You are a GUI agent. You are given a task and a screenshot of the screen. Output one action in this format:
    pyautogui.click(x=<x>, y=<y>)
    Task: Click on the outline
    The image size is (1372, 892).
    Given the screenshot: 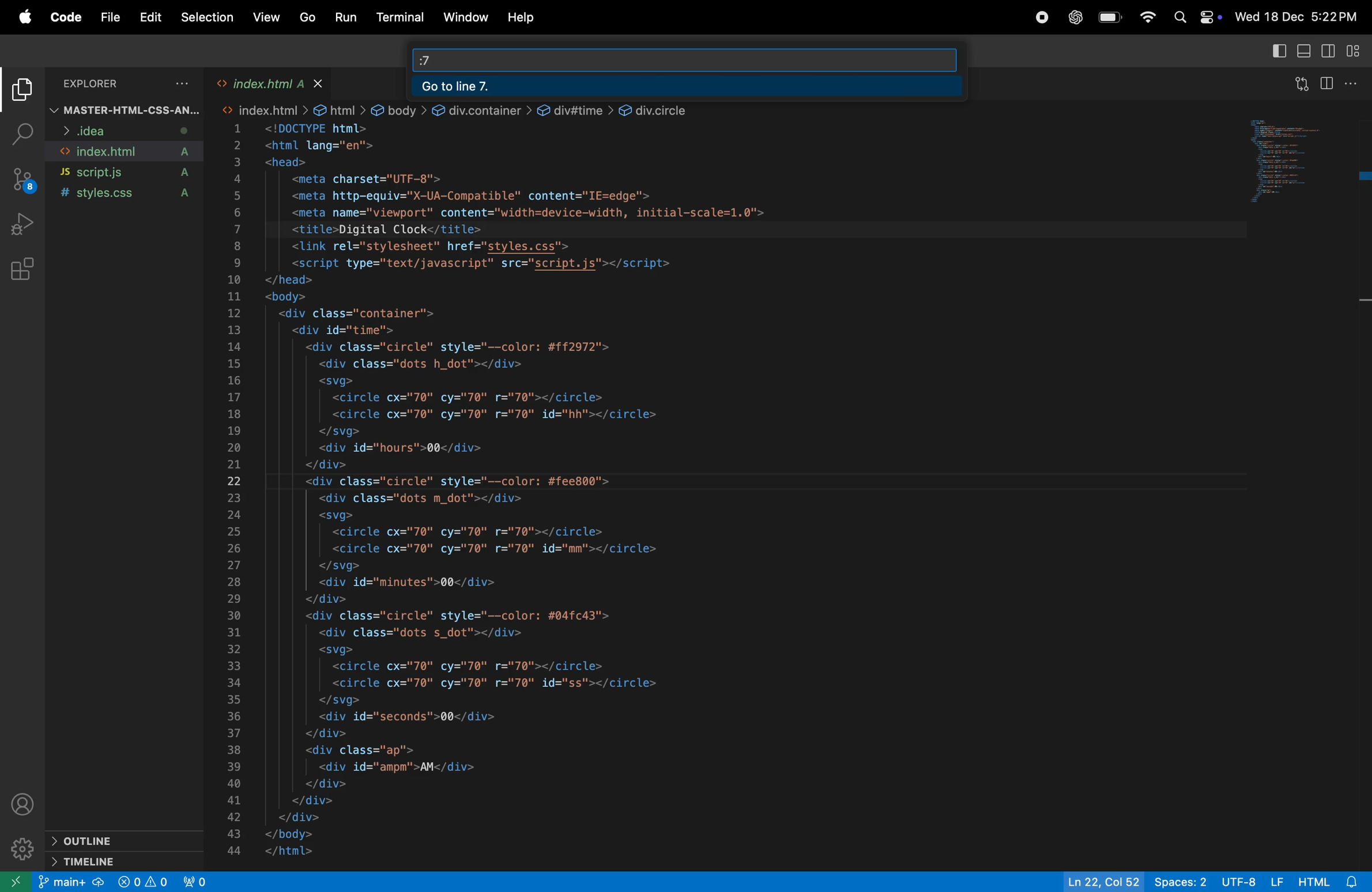 What is the action you would take?
    pyautogui.click(x=126, y=840)
    